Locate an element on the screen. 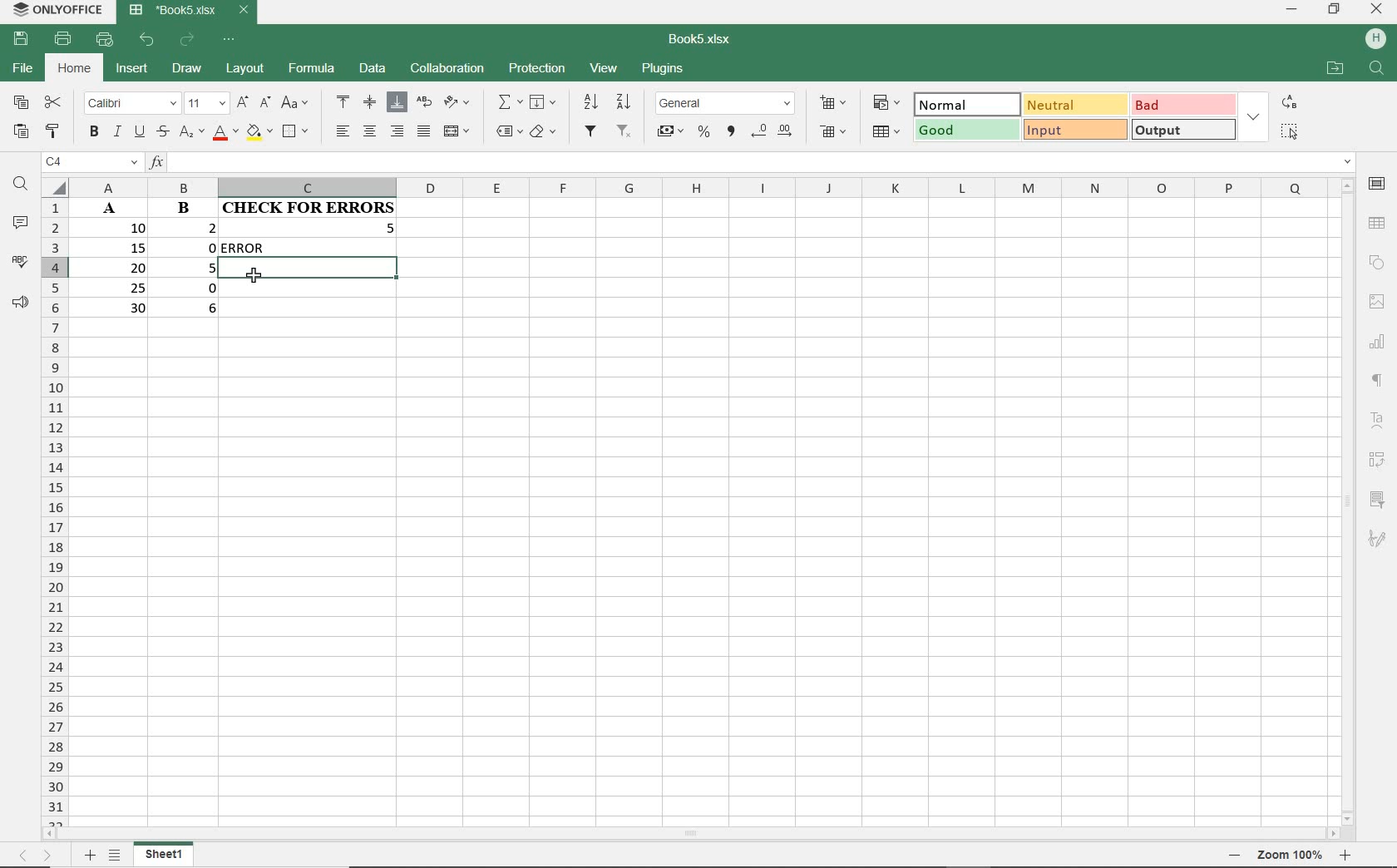 The height and width of the screenshot is (868, 1397). HP is located at coordinates (1376, 39).